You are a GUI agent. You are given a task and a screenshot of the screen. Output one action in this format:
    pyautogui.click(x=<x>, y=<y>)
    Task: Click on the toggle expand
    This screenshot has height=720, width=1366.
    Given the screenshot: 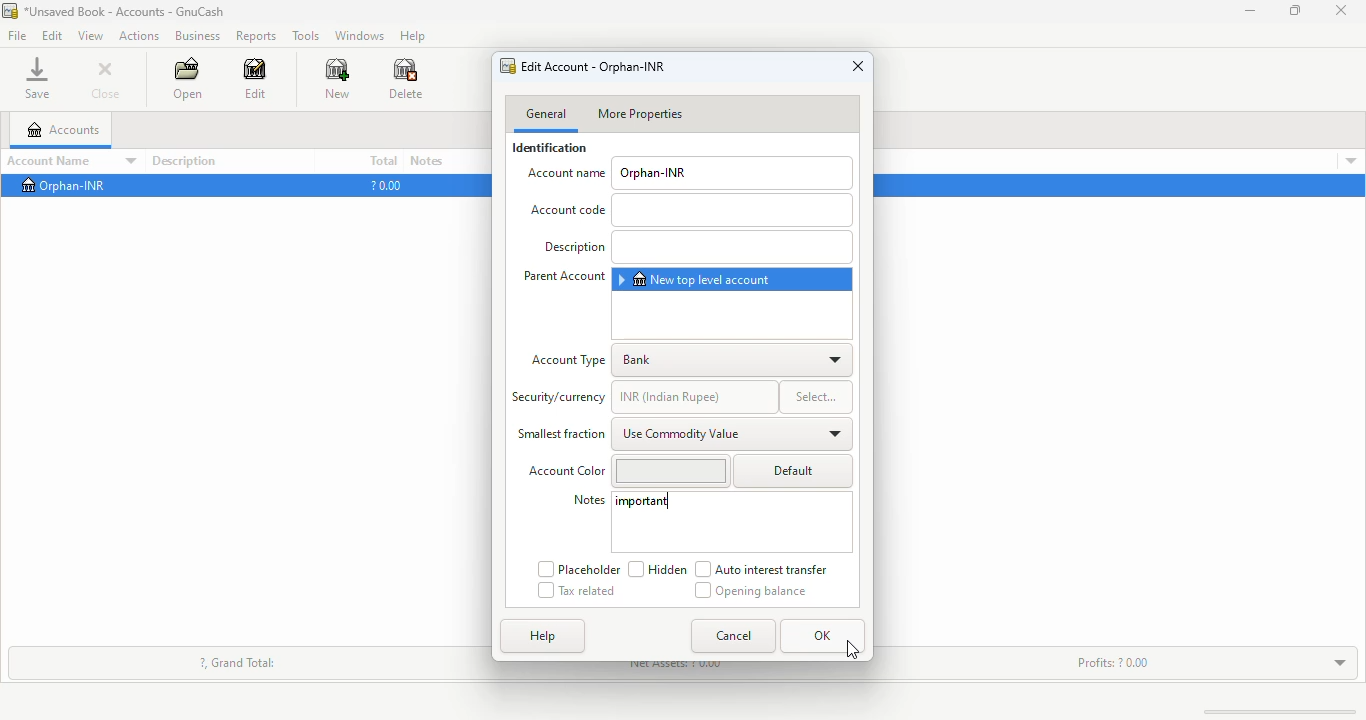 What is the action you would take?
    pyautogui.click(x=1340, y=663)
    